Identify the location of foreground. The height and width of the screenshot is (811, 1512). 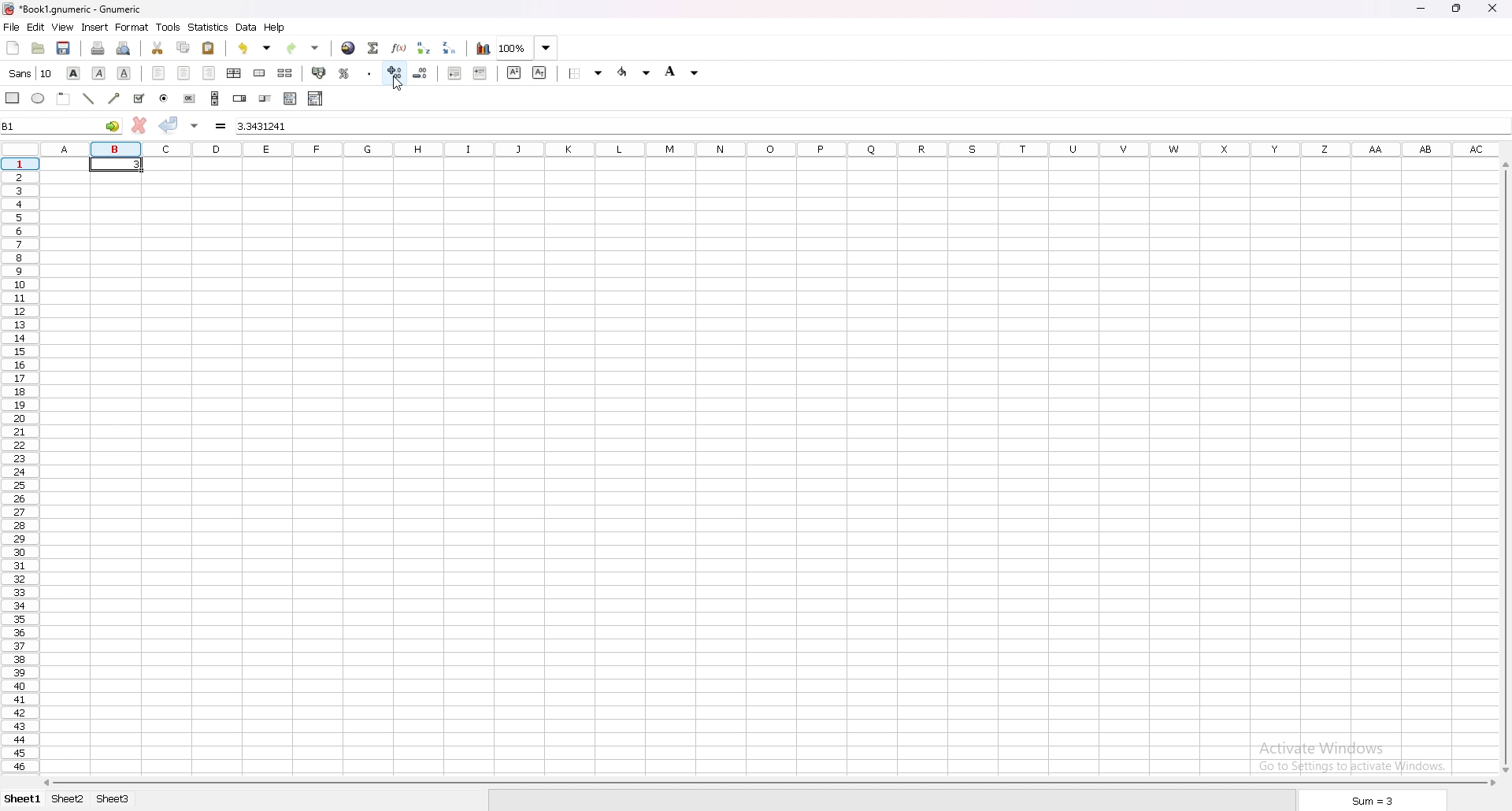
(636, 72).